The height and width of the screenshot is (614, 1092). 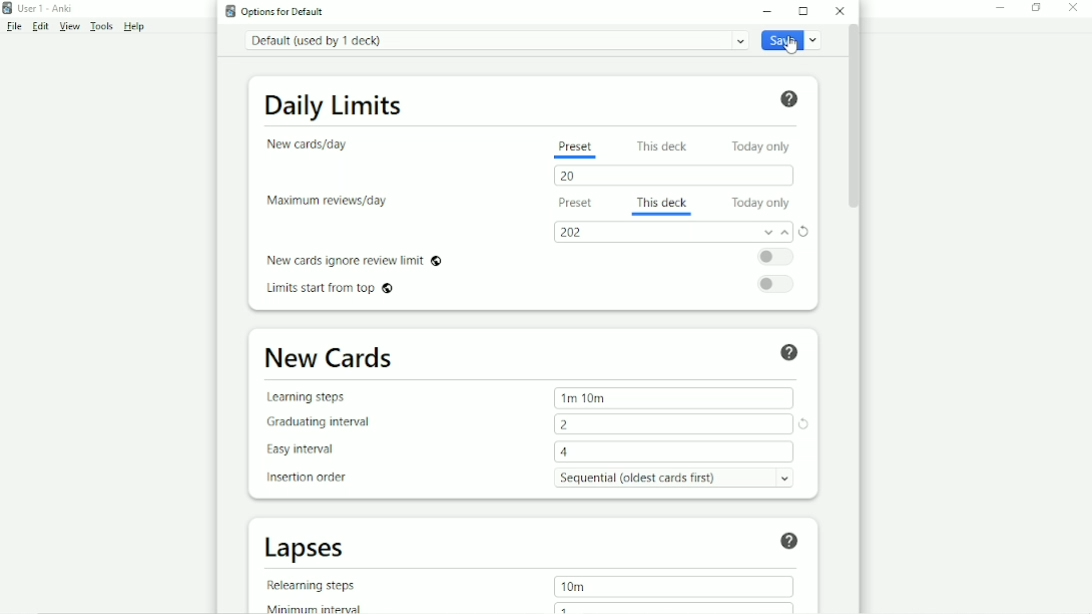 What do you see at coordinates (308, 450) in the screenshot?
I see `Easy interval` at bounding box center [308, 450].